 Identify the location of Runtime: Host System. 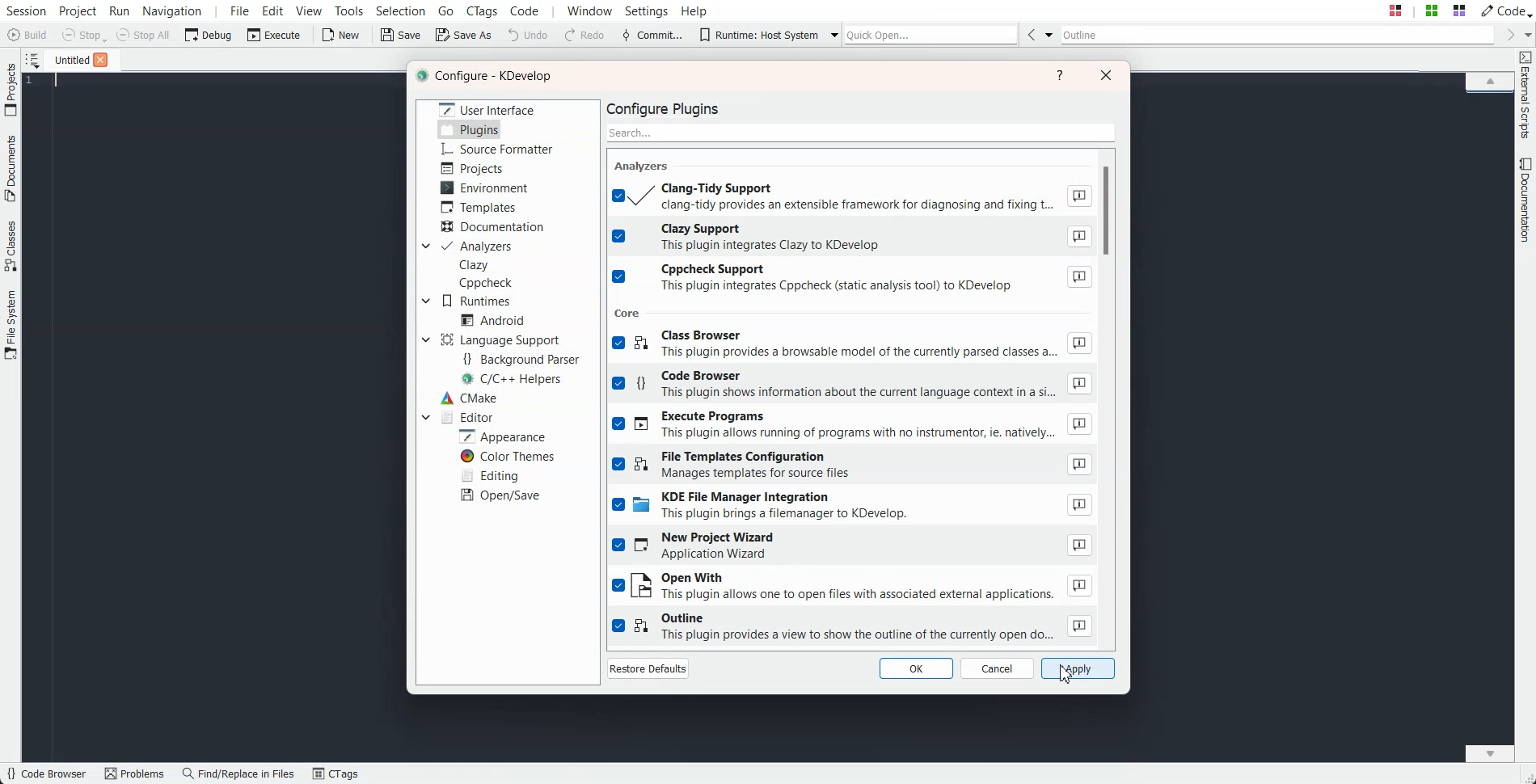
(758, 35).